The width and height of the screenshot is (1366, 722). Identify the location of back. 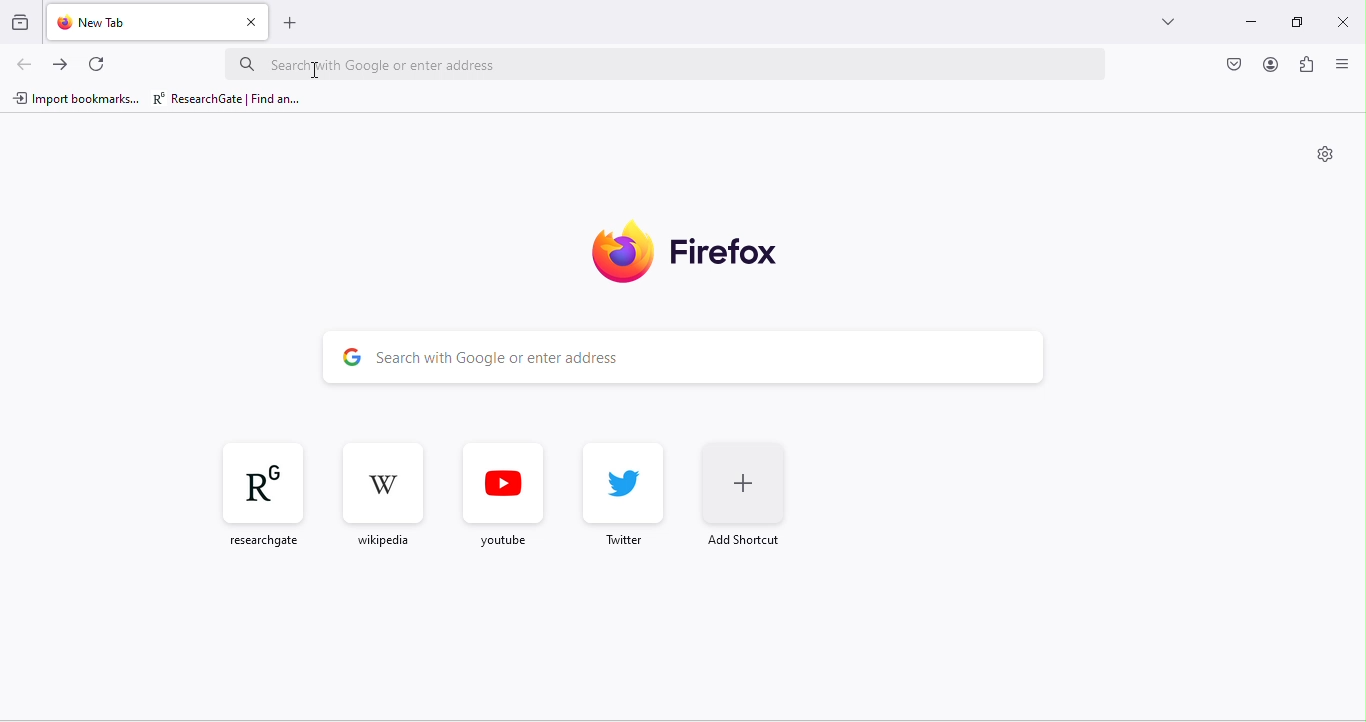
(22, 65).